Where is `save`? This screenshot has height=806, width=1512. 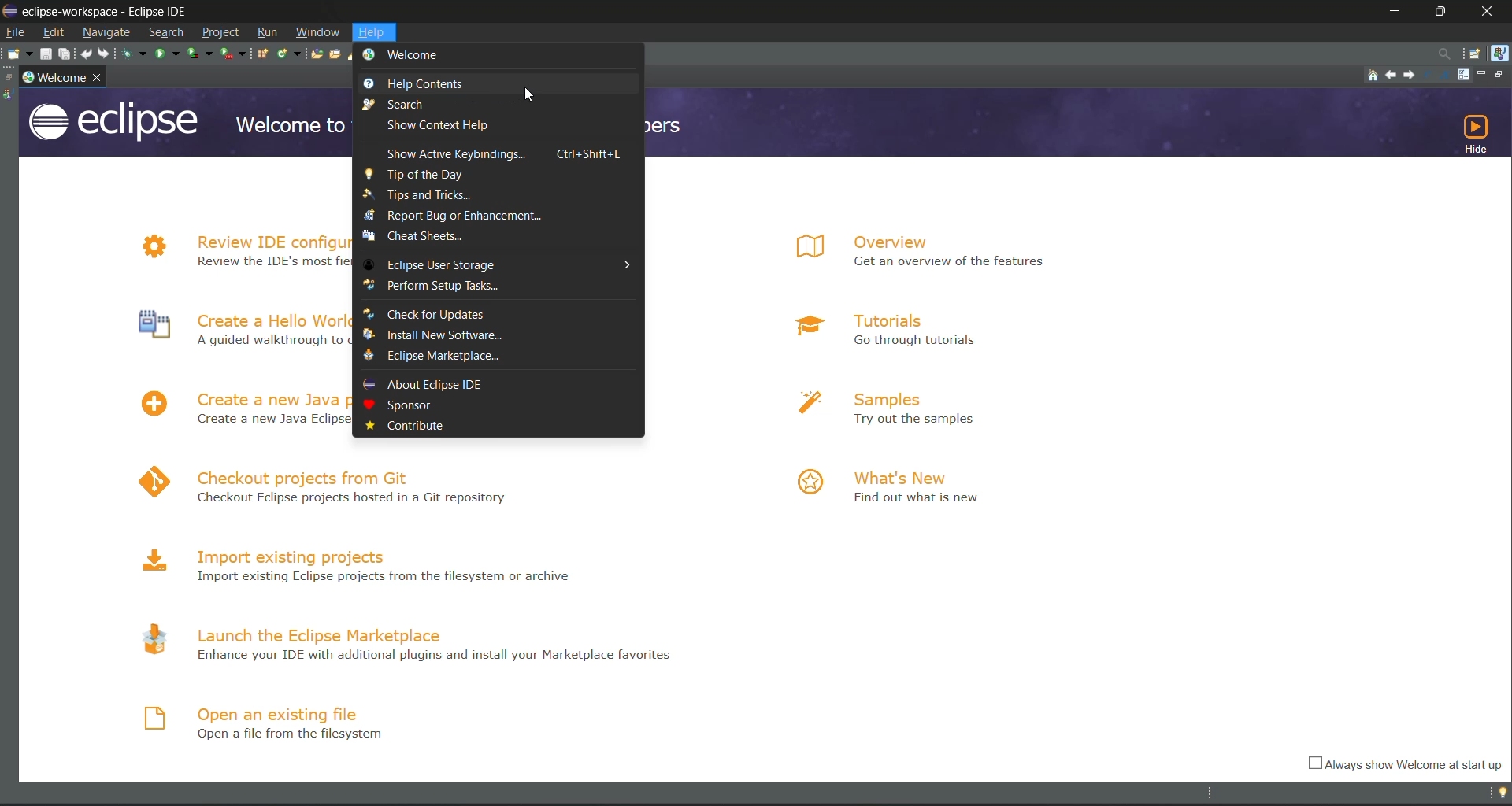 save is located at coordinates (46, 53).